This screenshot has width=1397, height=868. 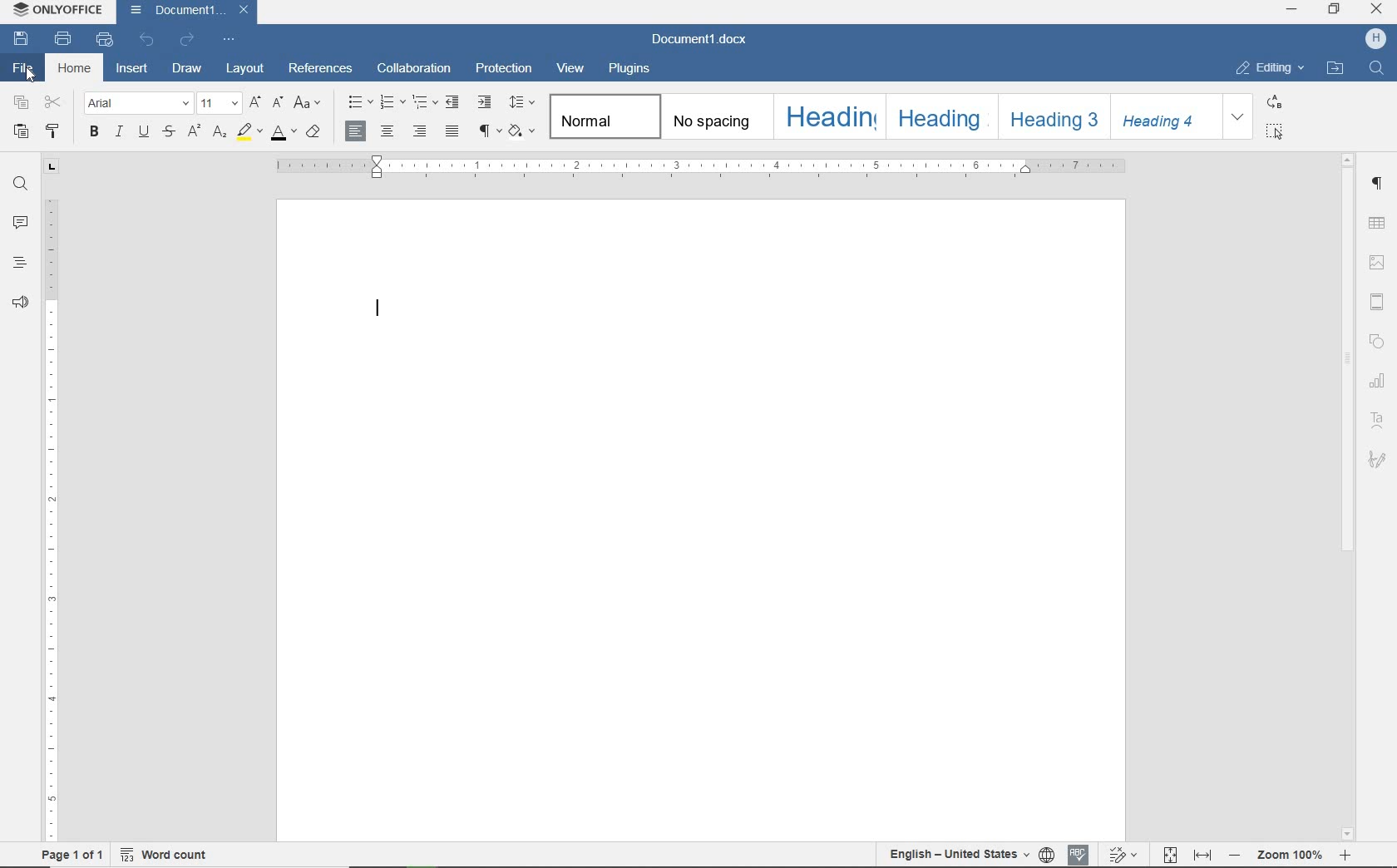 What do you see at coordinates (1079, 854) in the screenshot?
I see `spell checking` at bounding box center [1079, 854].